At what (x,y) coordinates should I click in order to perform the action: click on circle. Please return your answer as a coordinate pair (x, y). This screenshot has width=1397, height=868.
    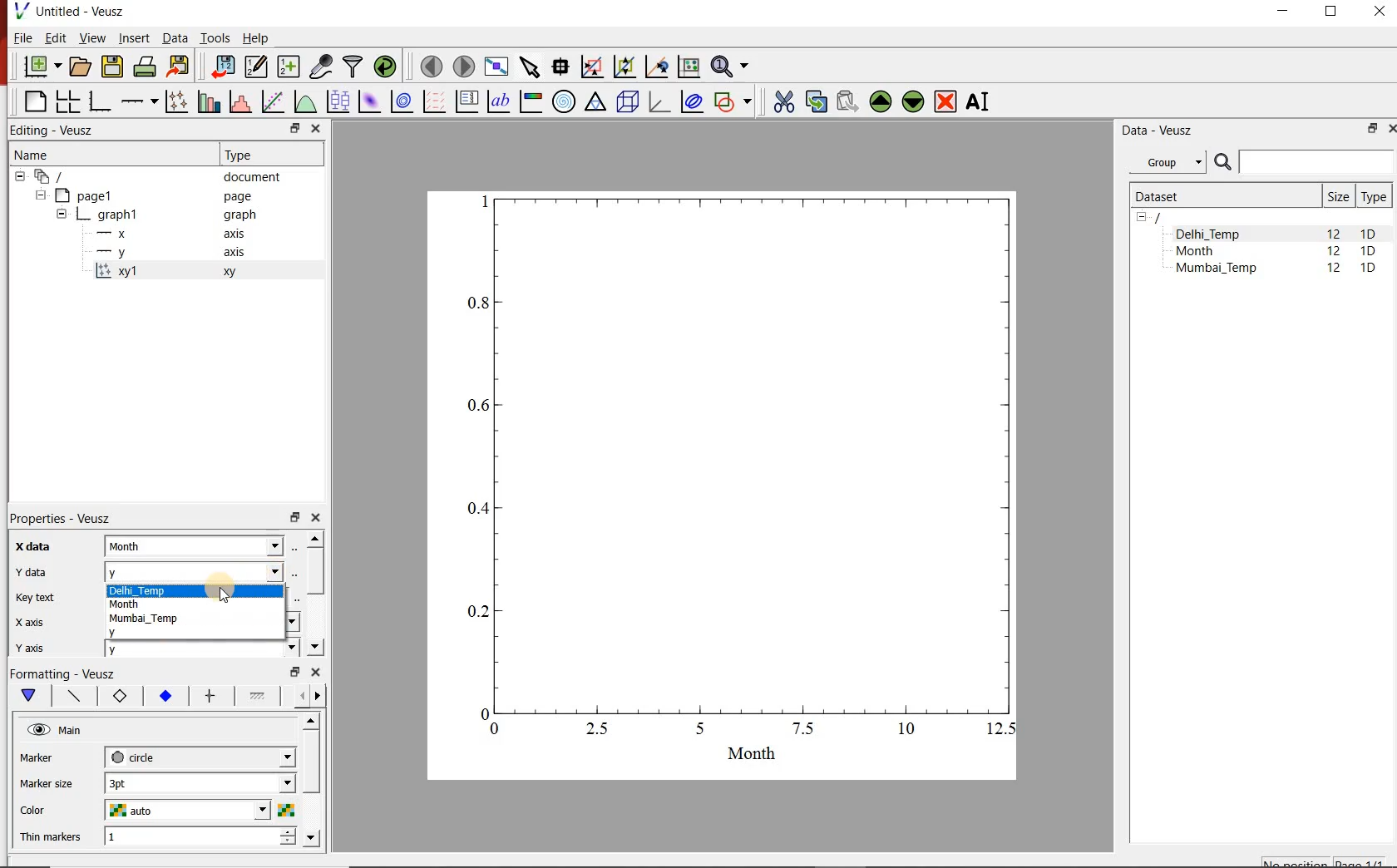
    Looking at the image, I should click on (200, 757).